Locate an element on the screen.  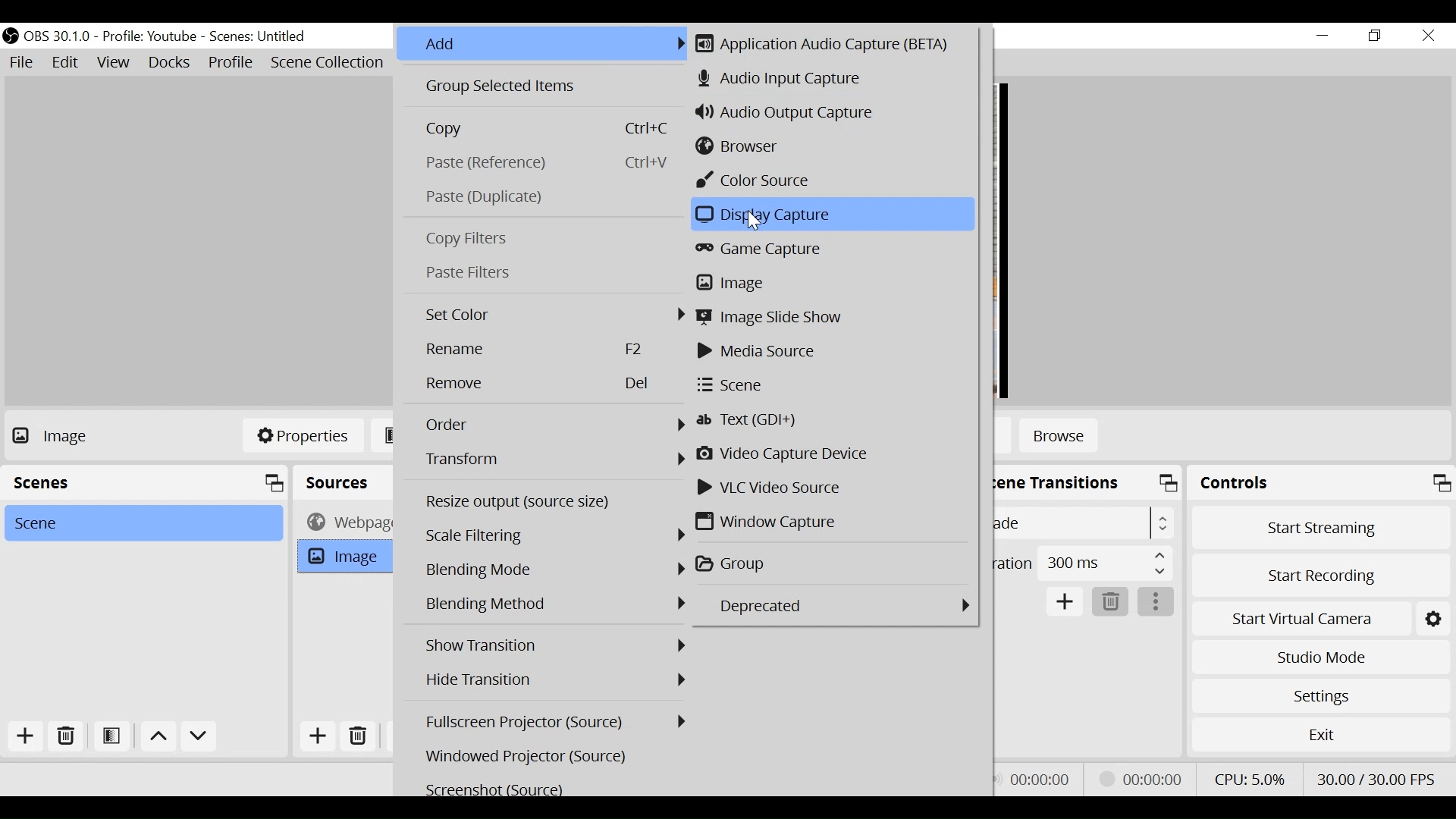
File is located at coordinates (22, 62).